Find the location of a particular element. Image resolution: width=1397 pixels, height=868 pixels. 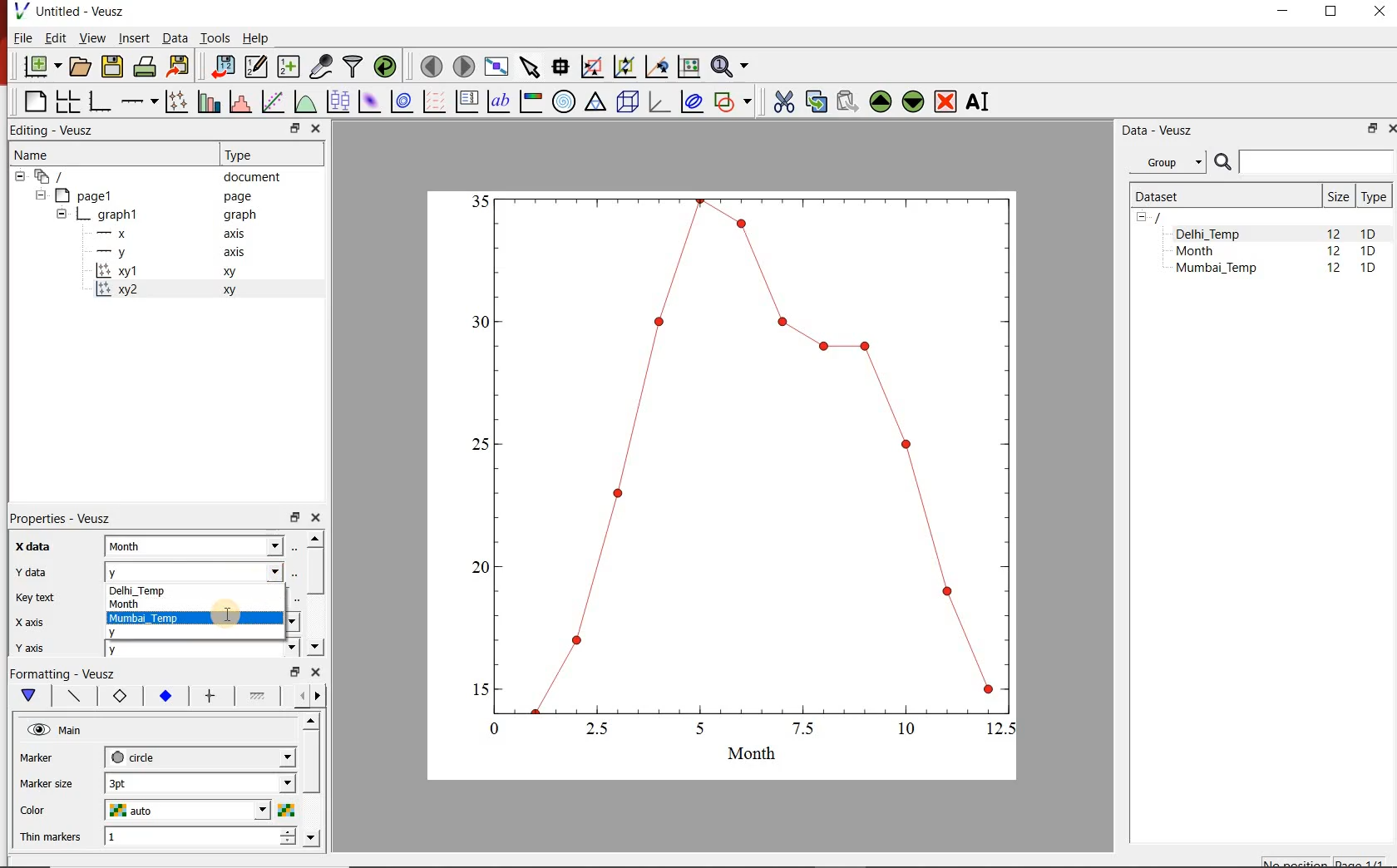

image color bar is located at coordinates (531, 101).